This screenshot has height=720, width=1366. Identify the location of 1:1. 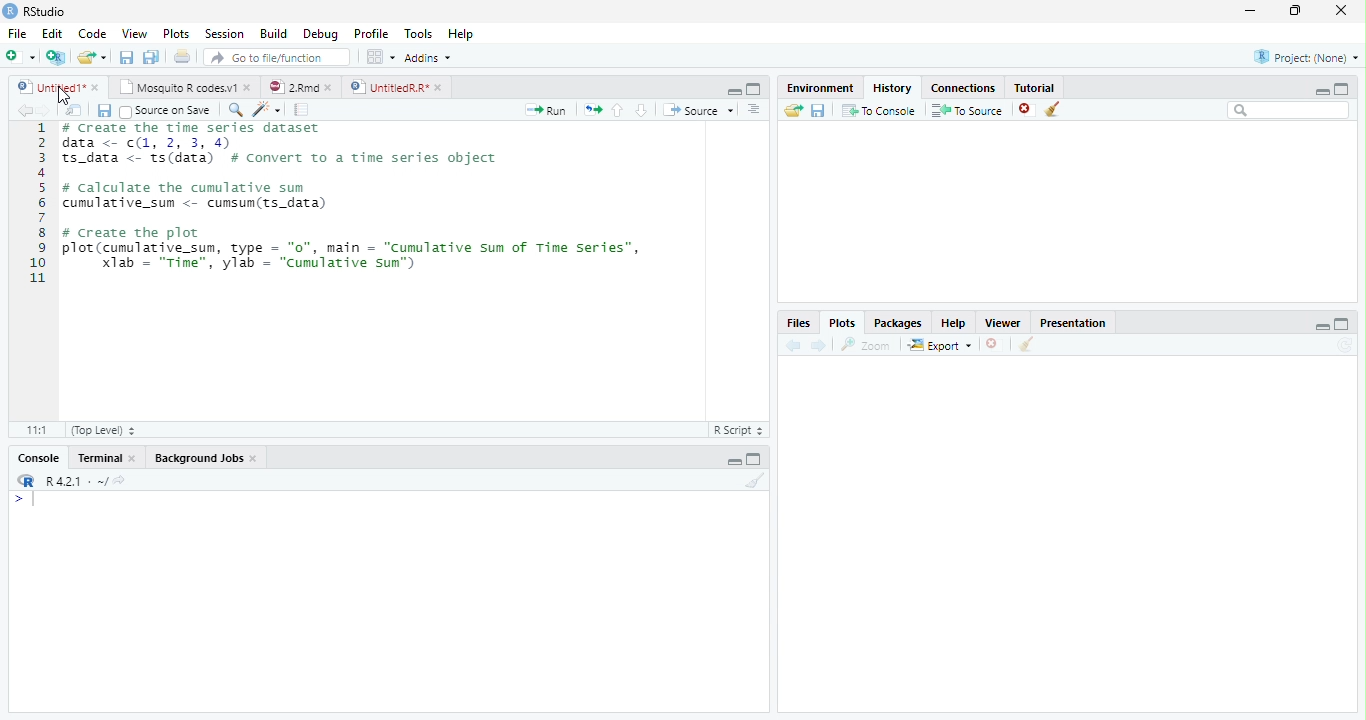
(33, 429).